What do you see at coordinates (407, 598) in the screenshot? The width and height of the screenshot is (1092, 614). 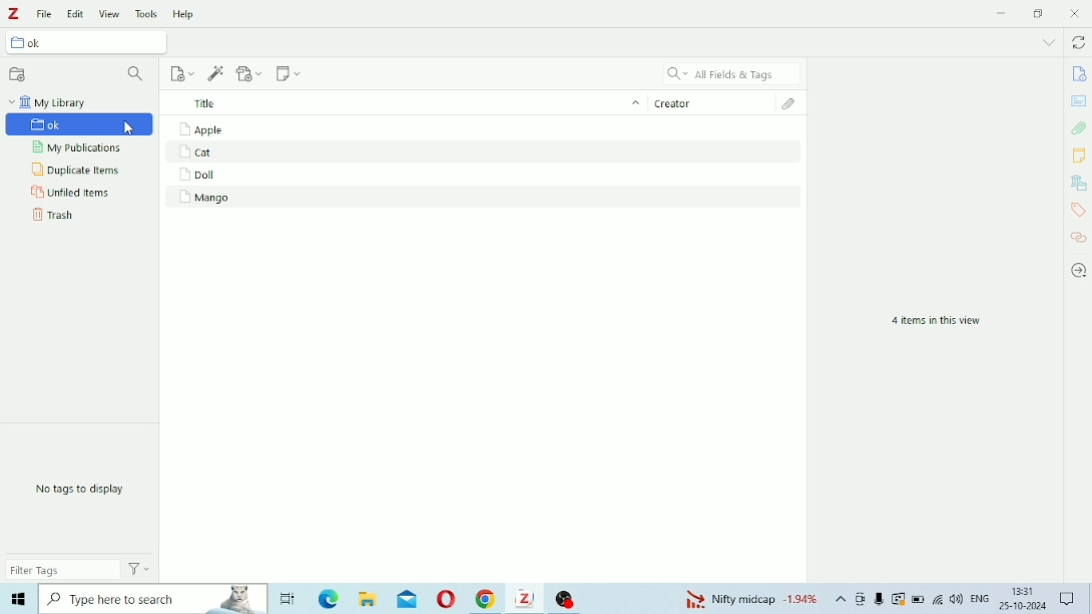 I see `Mail` at bounding box center [407, 598].